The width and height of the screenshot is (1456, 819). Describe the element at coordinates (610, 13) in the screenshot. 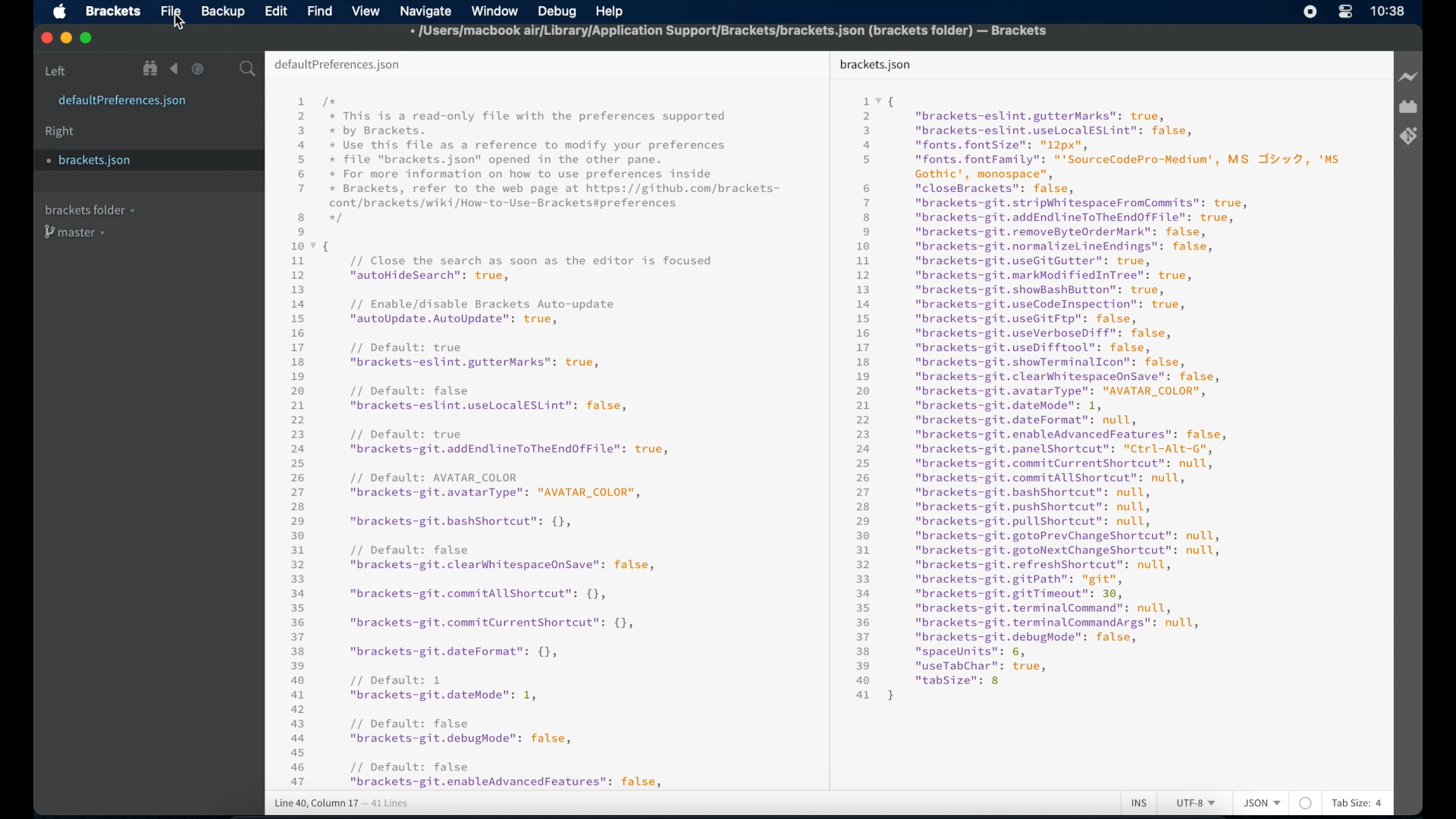

I see `help` at that location.